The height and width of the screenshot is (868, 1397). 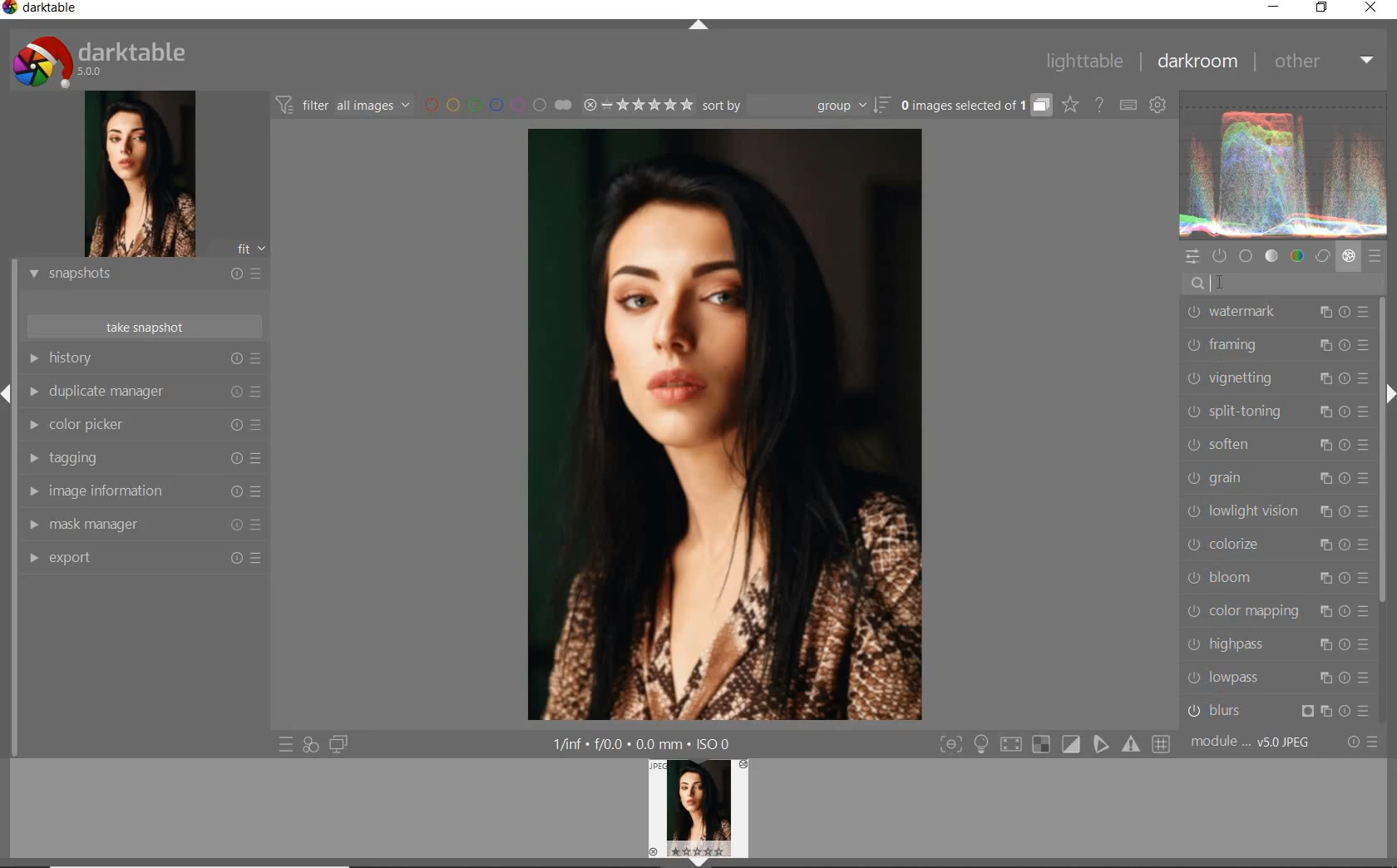 What do you see at coordinates (1246, 254) in the screenshot?
I see `base` at bounding box center [1246, 254].